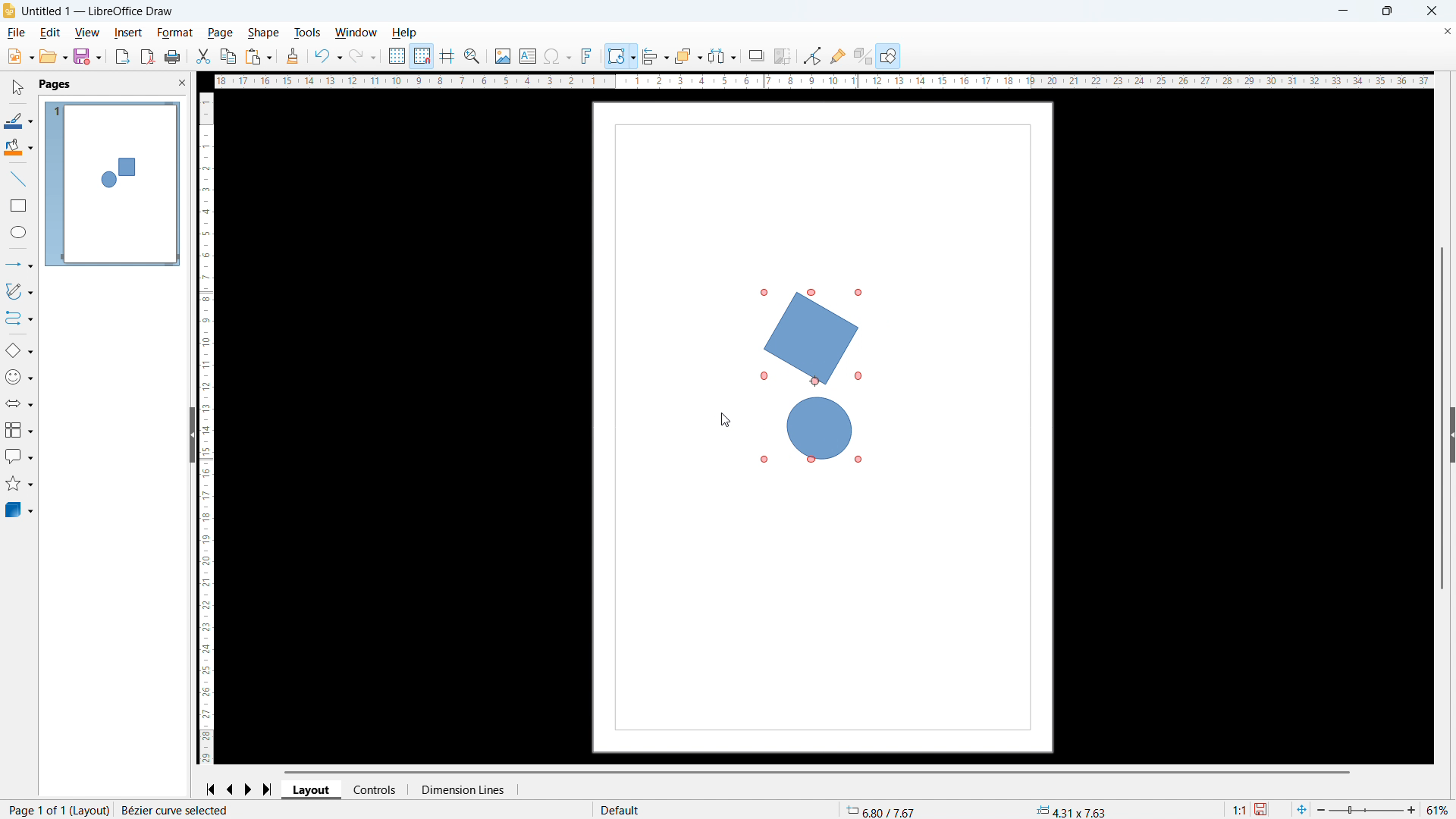  What do you see at coordinates (20, 146) in the screenshot?
I see `Background colour ` at bounding box center [20, 146].